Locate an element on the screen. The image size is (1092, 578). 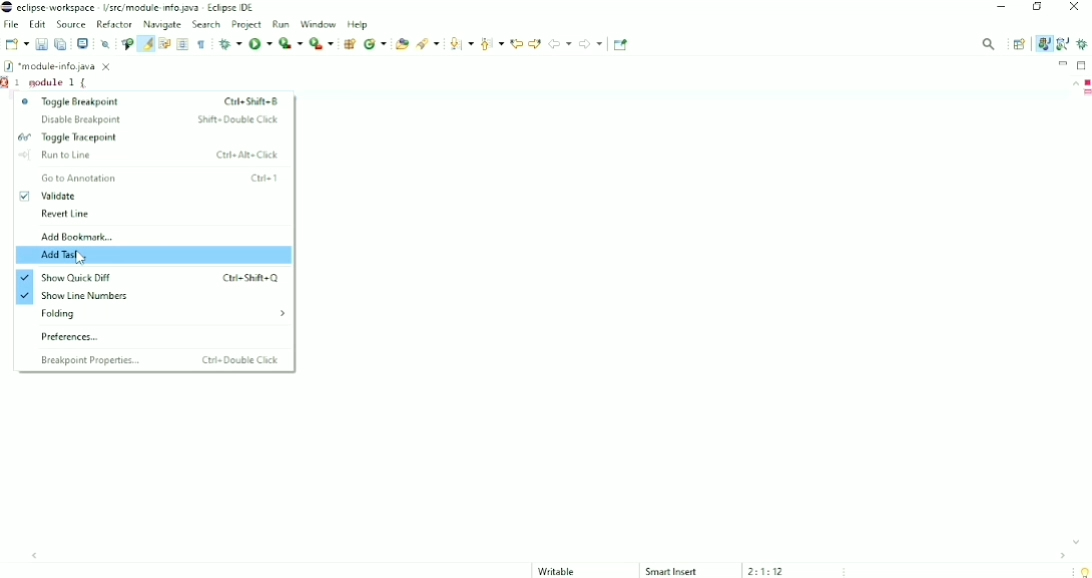
eclipse workspace /src/module.info.java Eclipse IDE is located at coordinates (131, 7).